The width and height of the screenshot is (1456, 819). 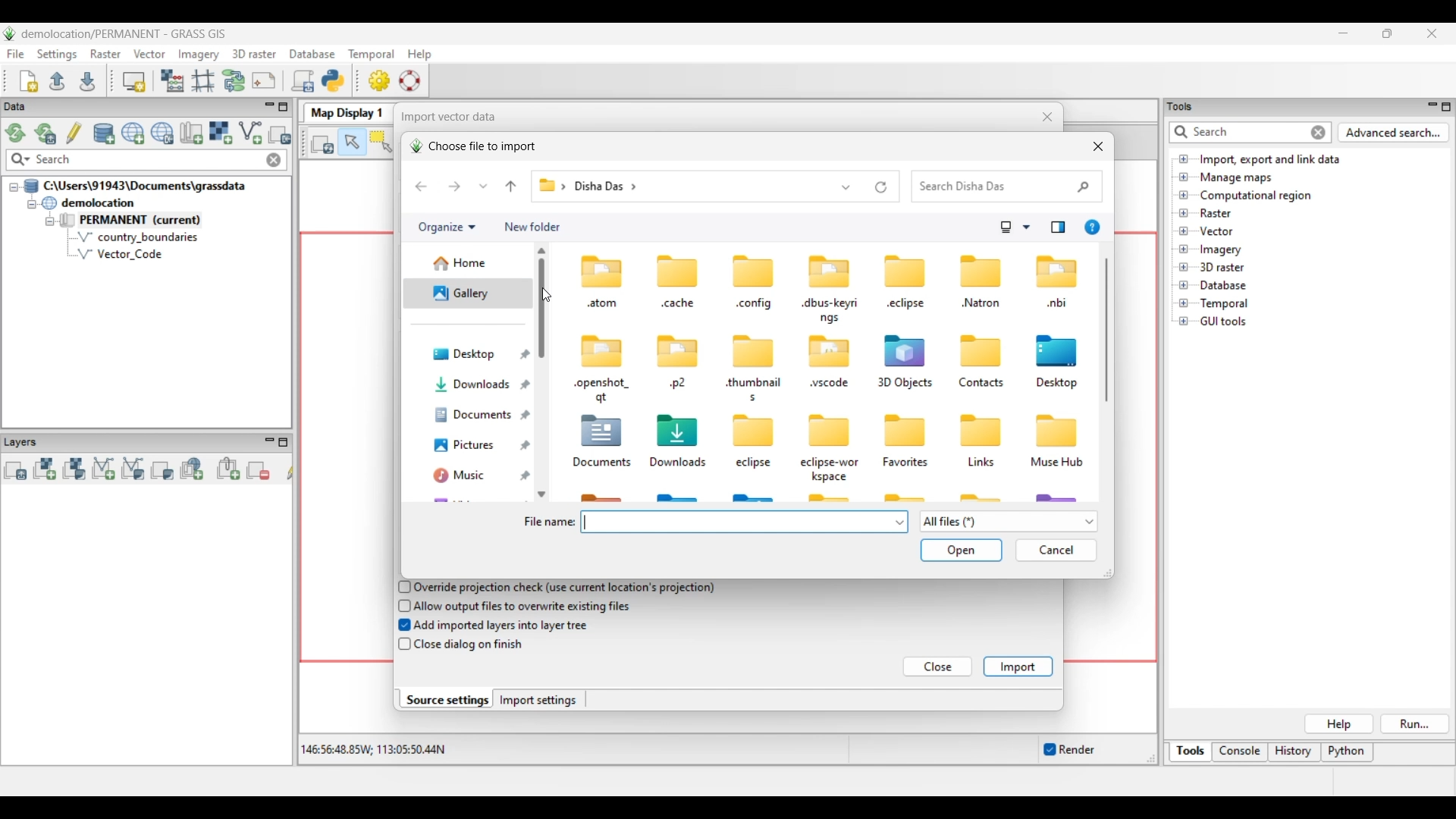 I want to click on Documents folder, so click(x=470, y=415).